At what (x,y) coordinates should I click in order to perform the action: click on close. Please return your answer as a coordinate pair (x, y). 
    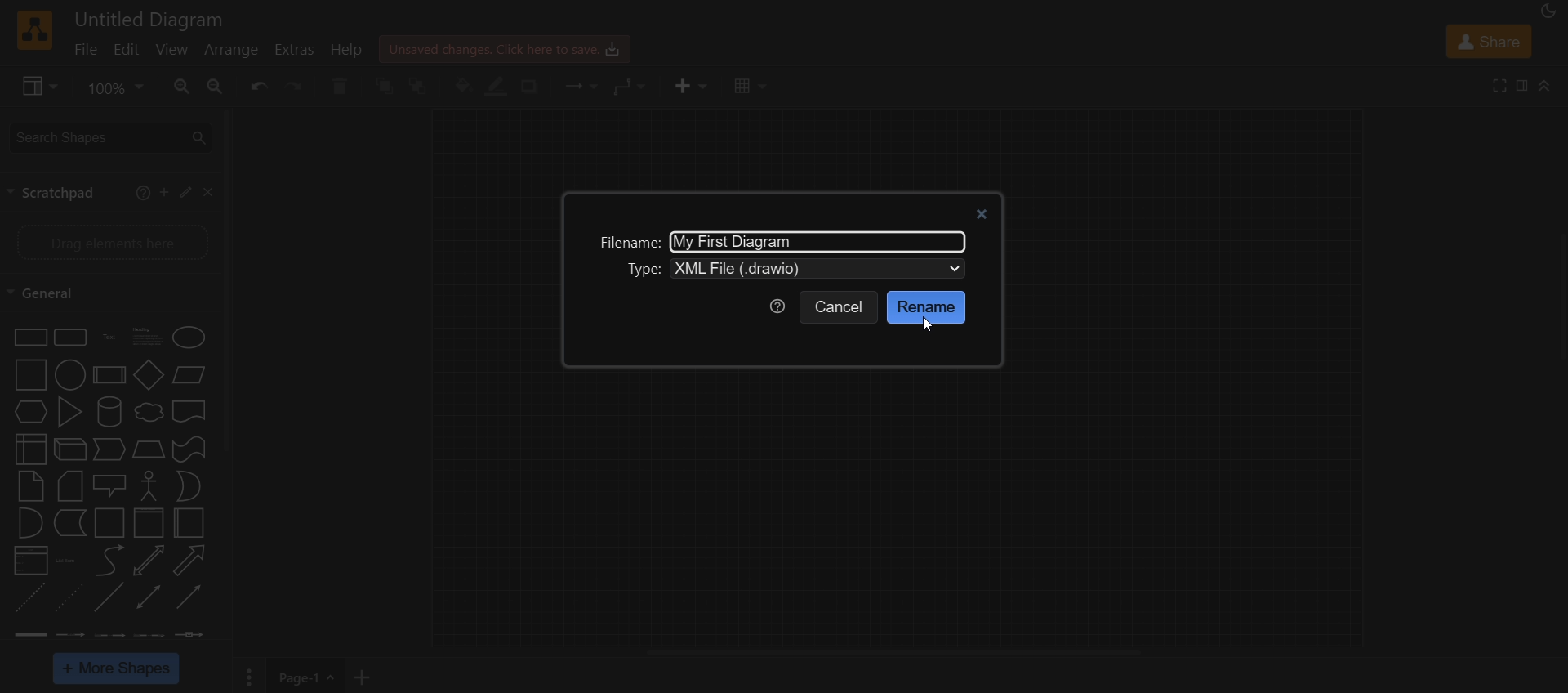
    Looking at the image, I should click on (985, 212).